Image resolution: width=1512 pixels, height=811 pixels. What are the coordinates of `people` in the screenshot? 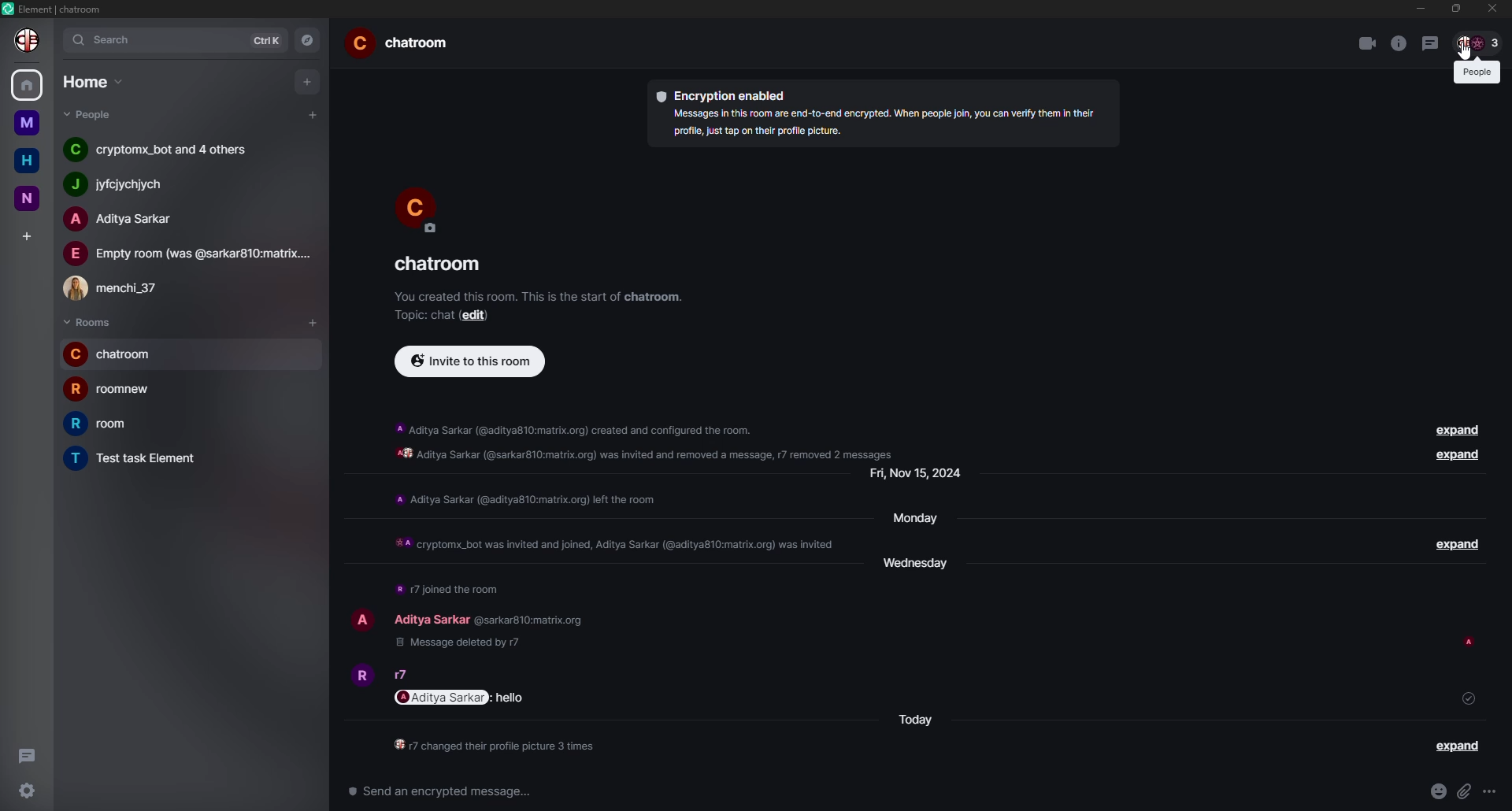 It's located at (120, 285).